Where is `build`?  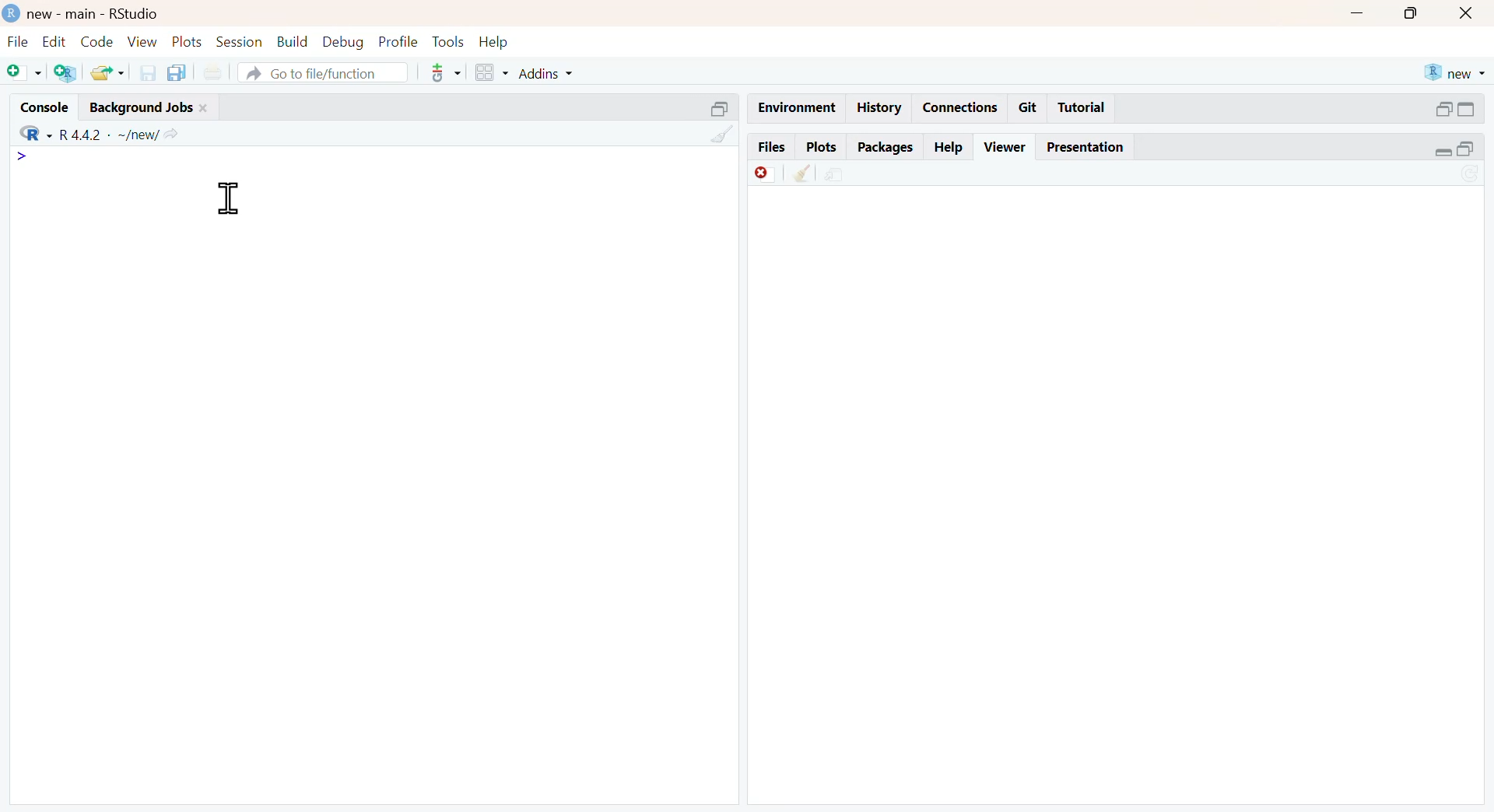 build is located at coordinates (294, 42).